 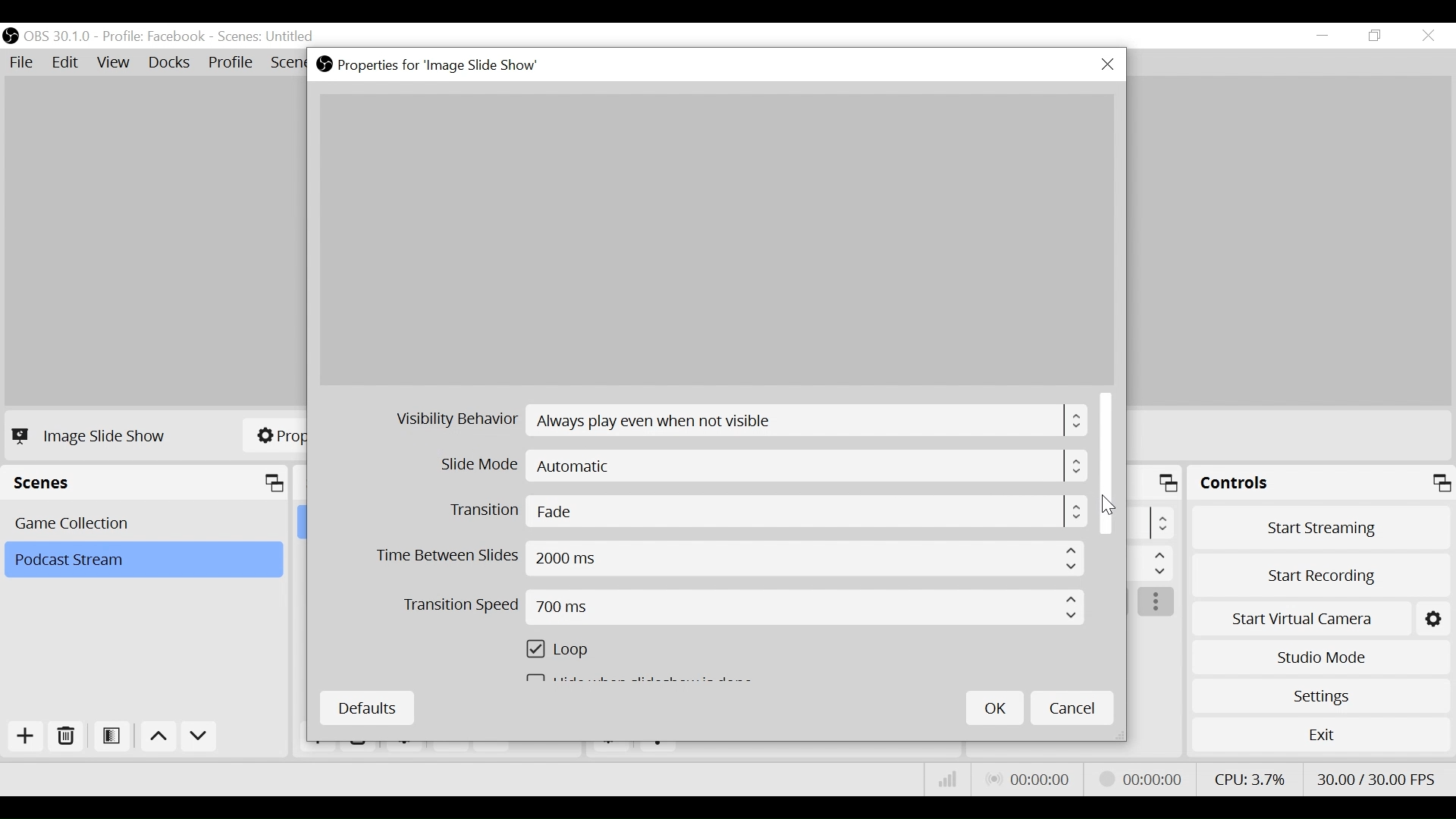 What do you see at coordinates (716, 240) in the screenshot?
I see `Preview Image Slide Show` at bounding box center [716, 240].